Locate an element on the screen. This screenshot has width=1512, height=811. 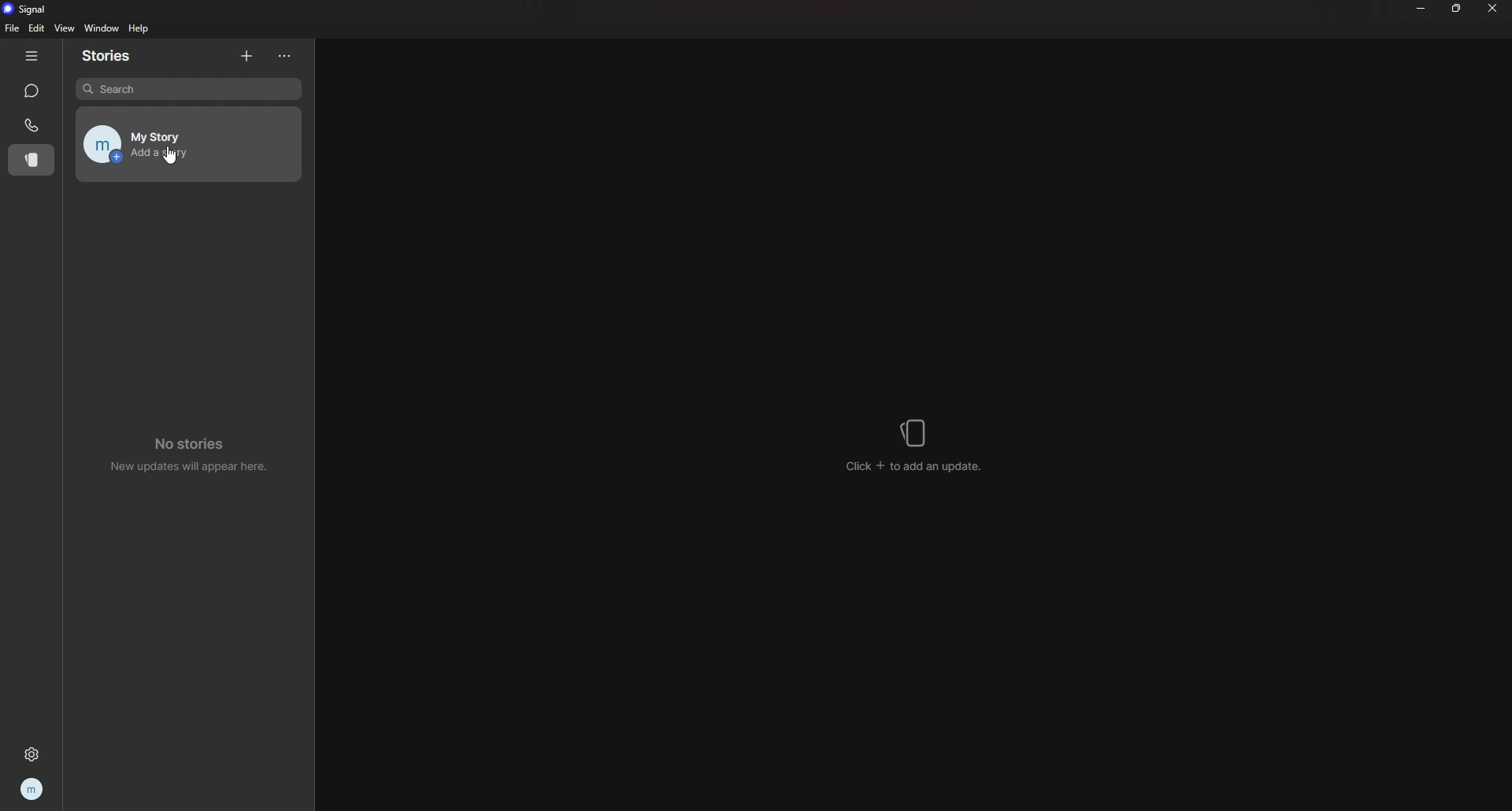
options is located at coordinates (286, 57).